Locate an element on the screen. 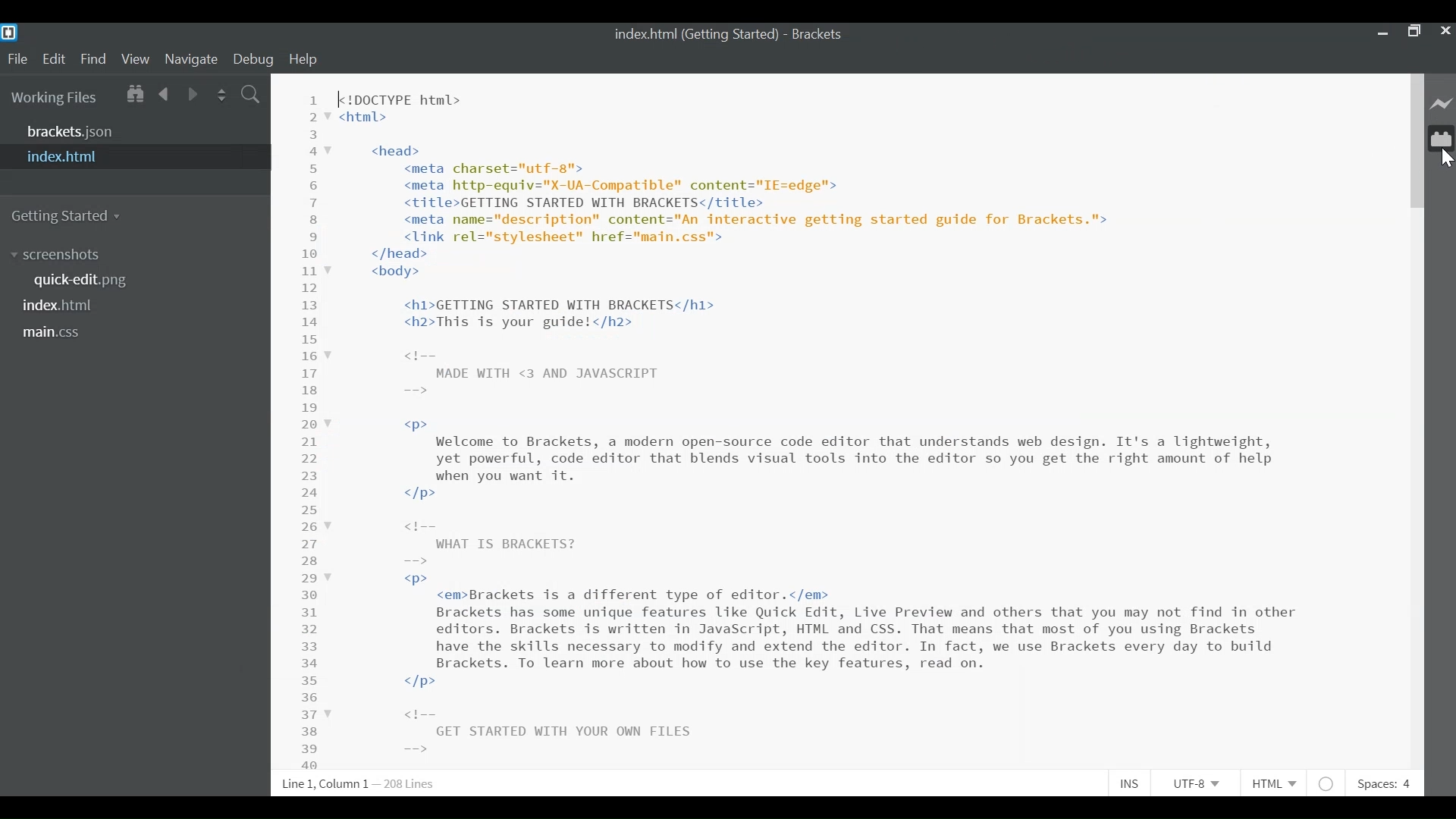  File Type is located at coordinates (1278, 781).